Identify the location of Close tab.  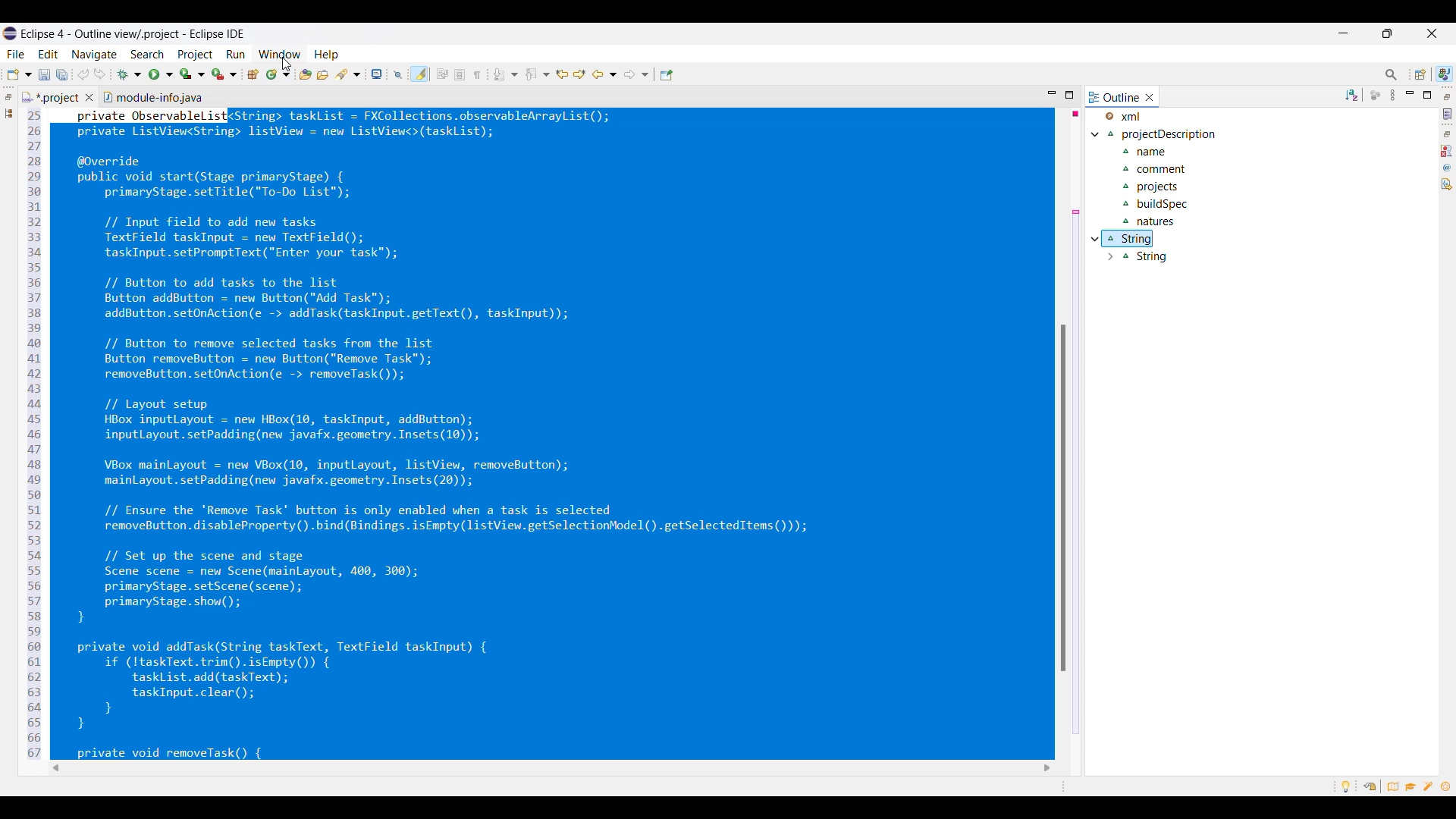
(89, 97).